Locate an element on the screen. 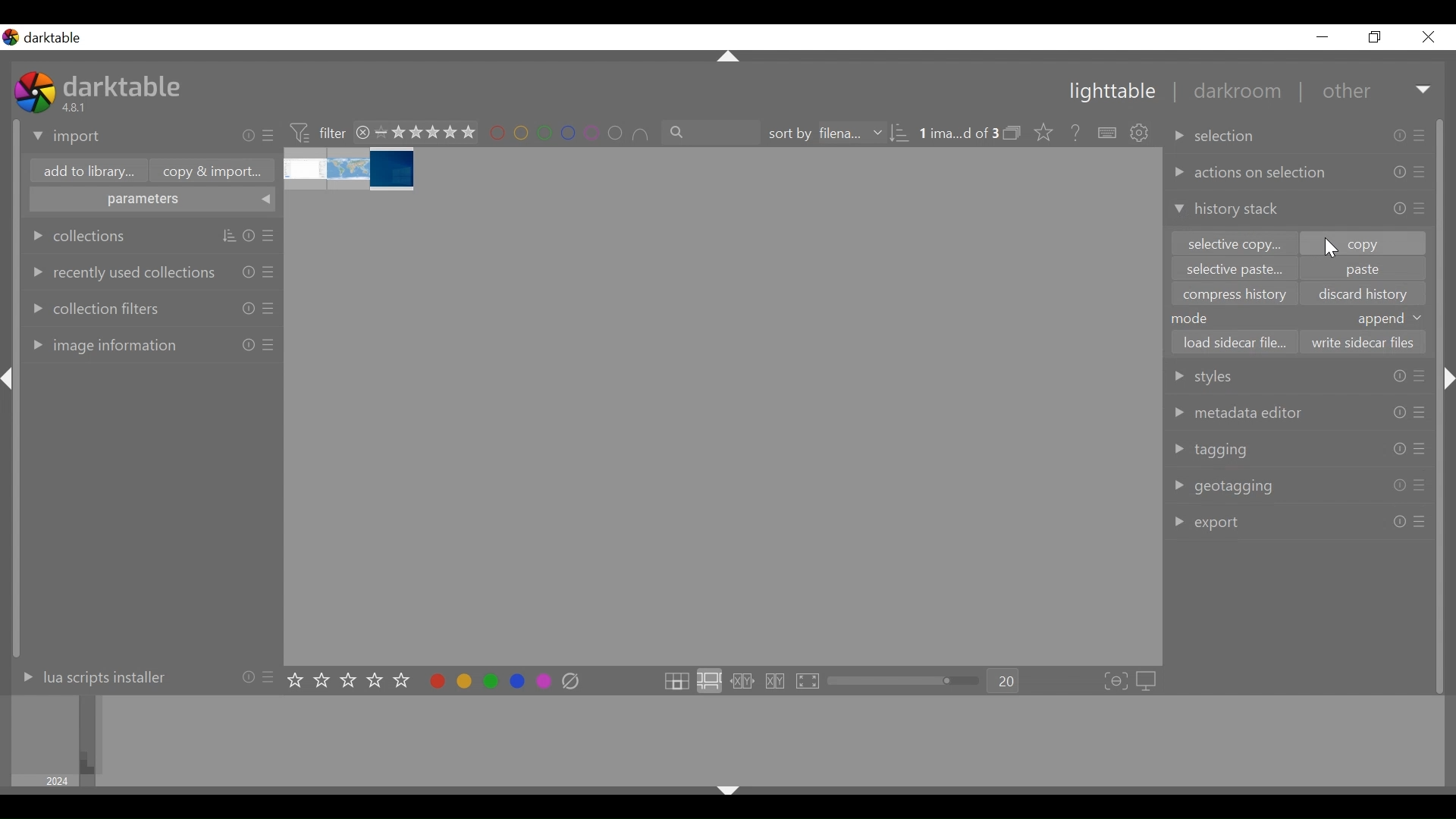 The width and height of the screenshot is (1456, 819). info is located at coordinates (249, 308).